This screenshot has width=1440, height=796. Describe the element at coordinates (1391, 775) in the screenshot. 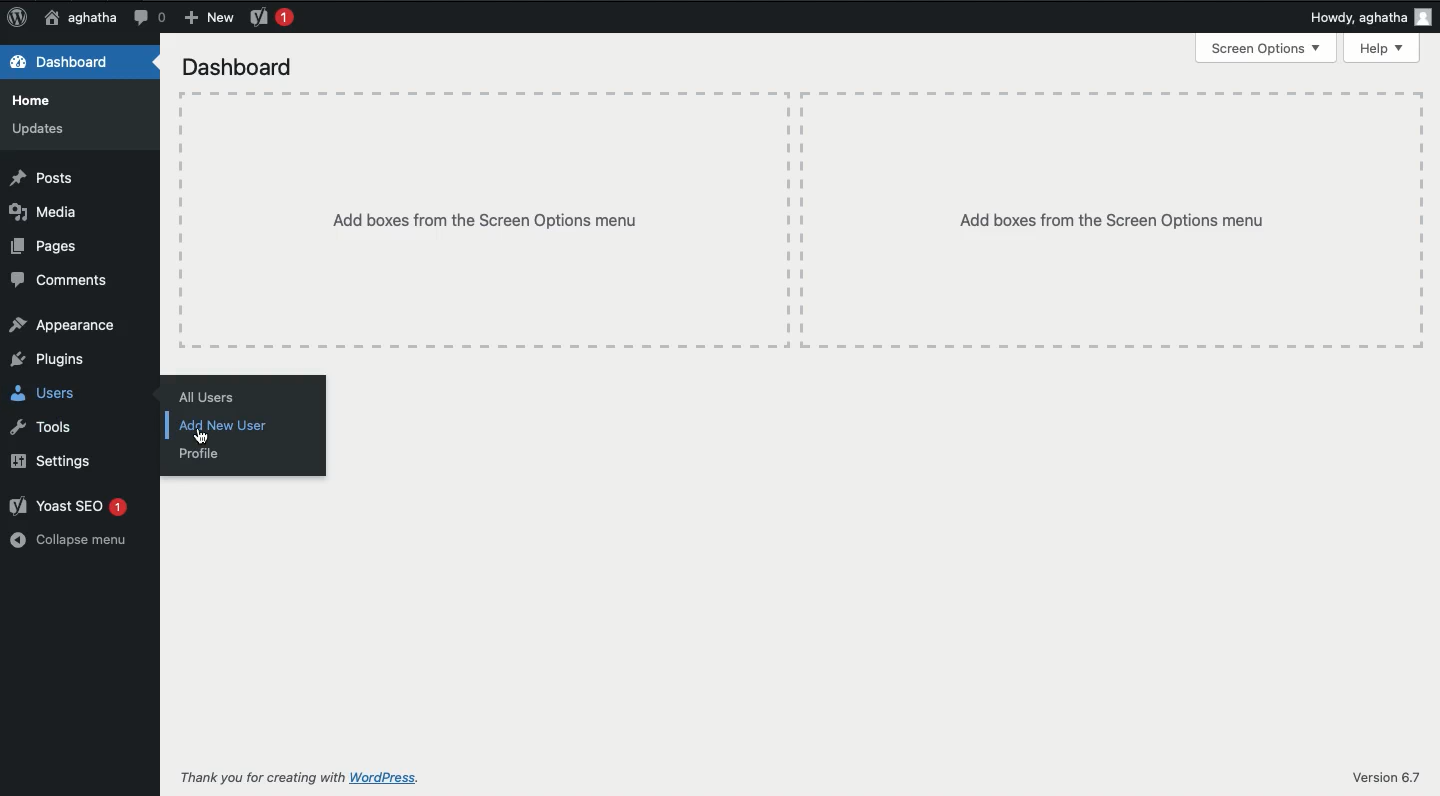

I see `Version 6.7` at that location.